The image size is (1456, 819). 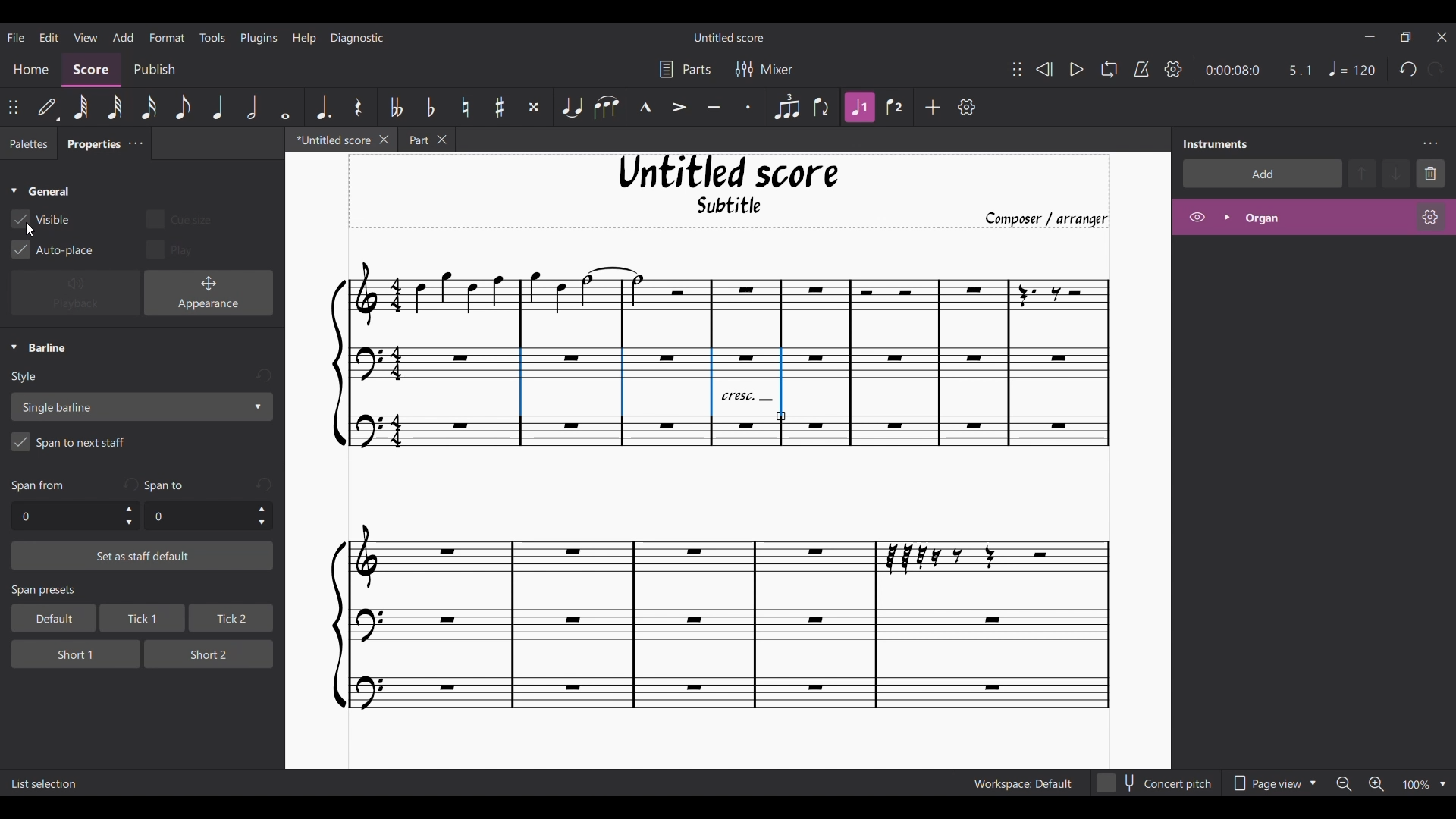 What do you see at coordinates (168, 485) in the screenshot?
I see `Indicates text space for Span to` at bounding box center [168, 485].